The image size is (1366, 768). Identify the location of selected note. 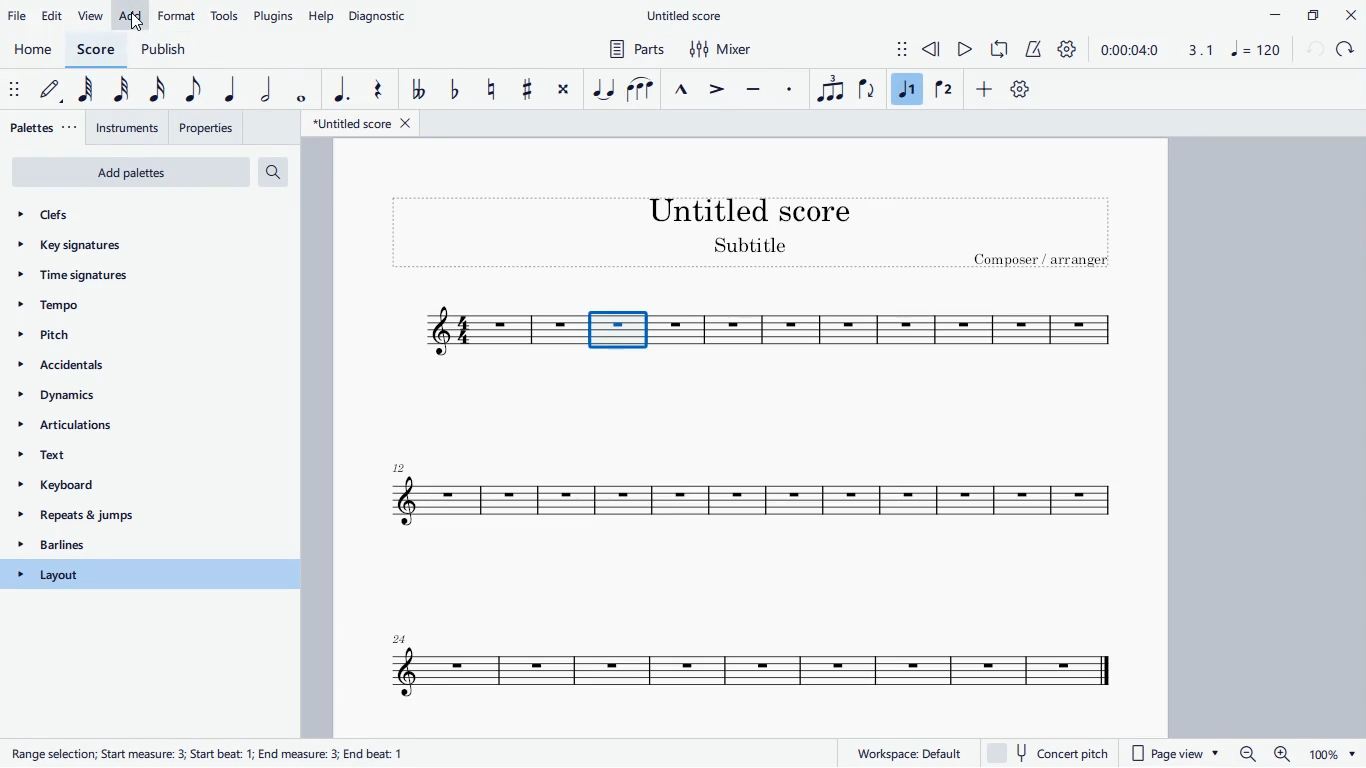
(618, 329).